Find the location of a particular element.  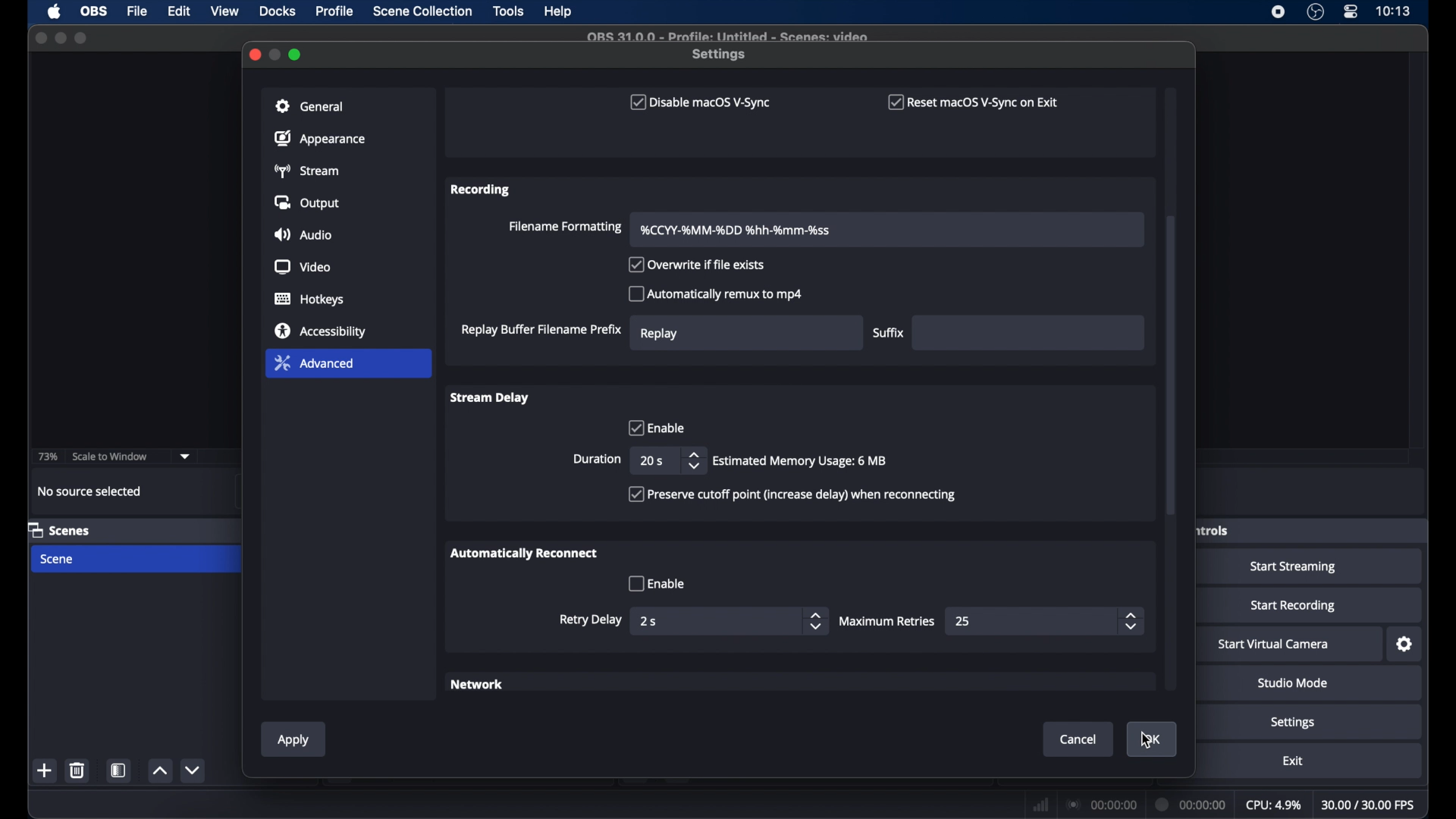

stream is located at coordinates (306, 171).